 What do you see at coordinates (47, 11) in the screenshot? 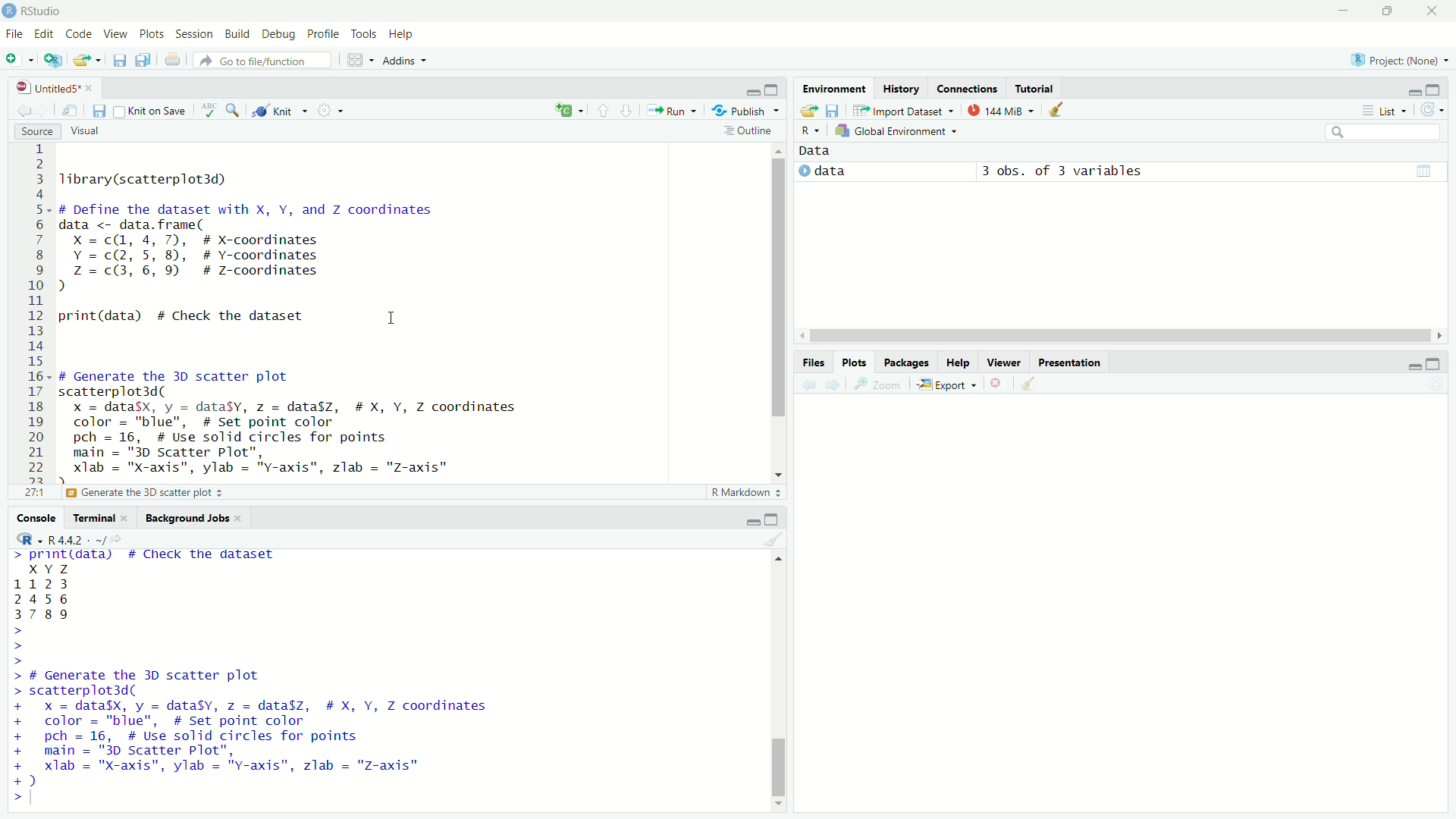
I see `RStudio` at bounding box center [47, 11].